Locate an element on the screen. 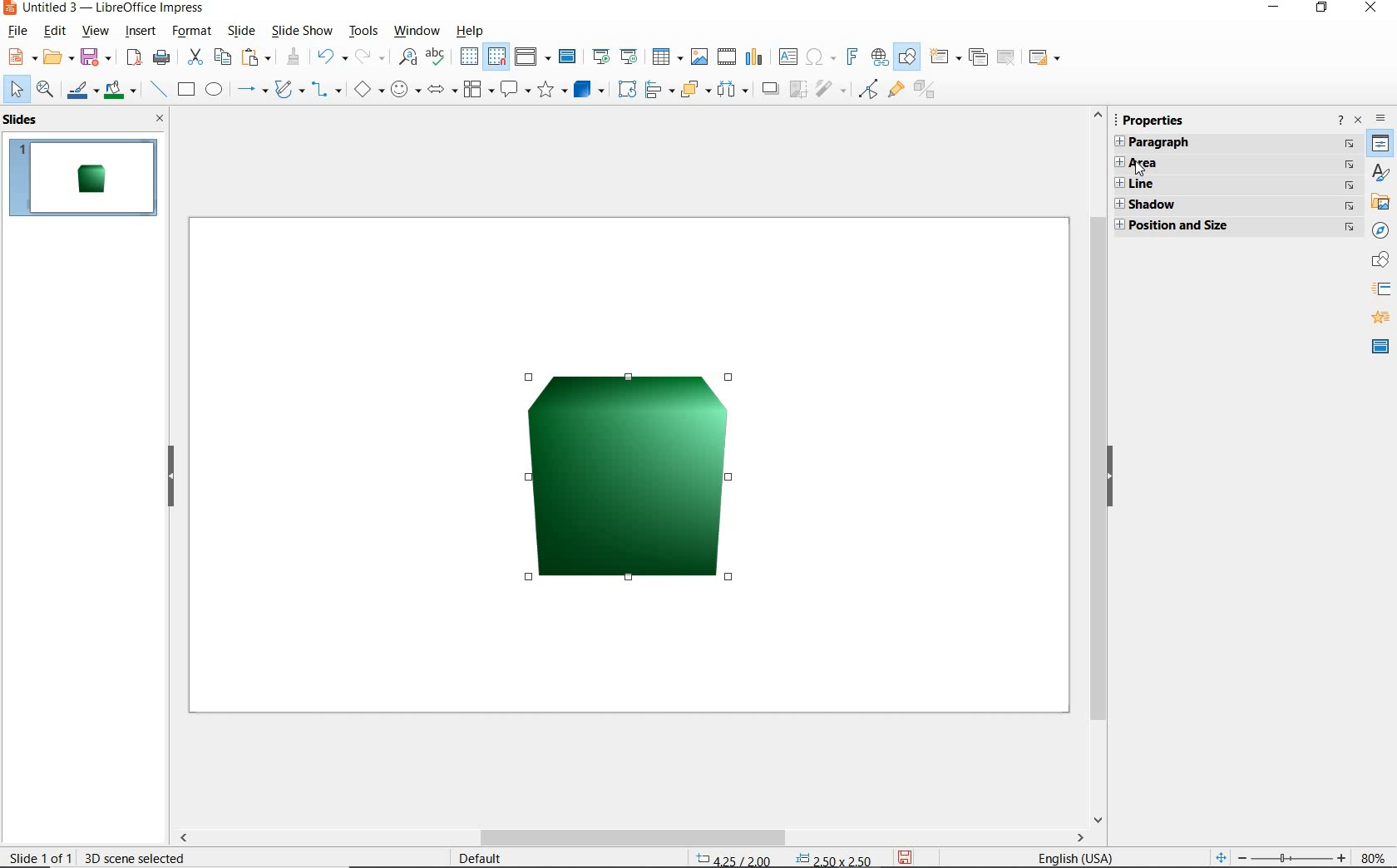  start from current slide is located at coordinates (630, 57).